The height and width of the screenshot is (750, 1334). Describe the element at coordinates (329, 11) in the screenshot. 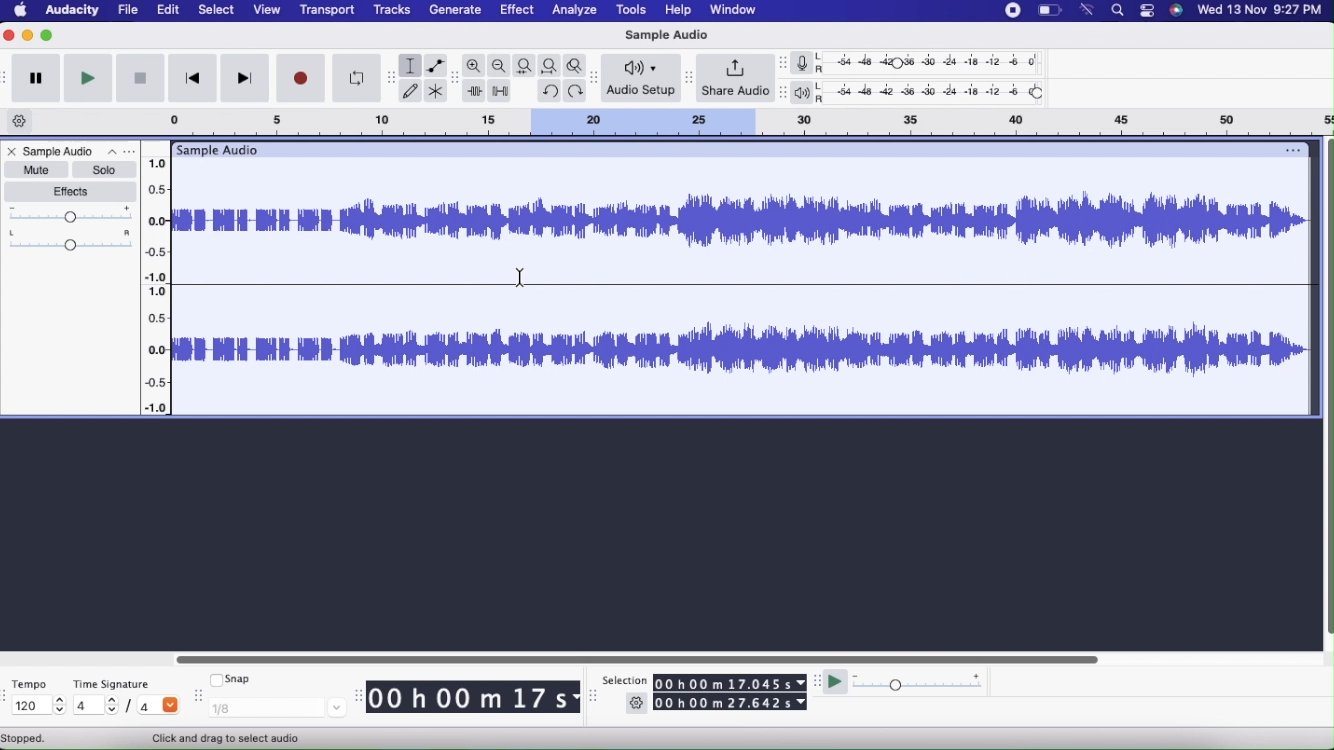

I see `transport` at that location.